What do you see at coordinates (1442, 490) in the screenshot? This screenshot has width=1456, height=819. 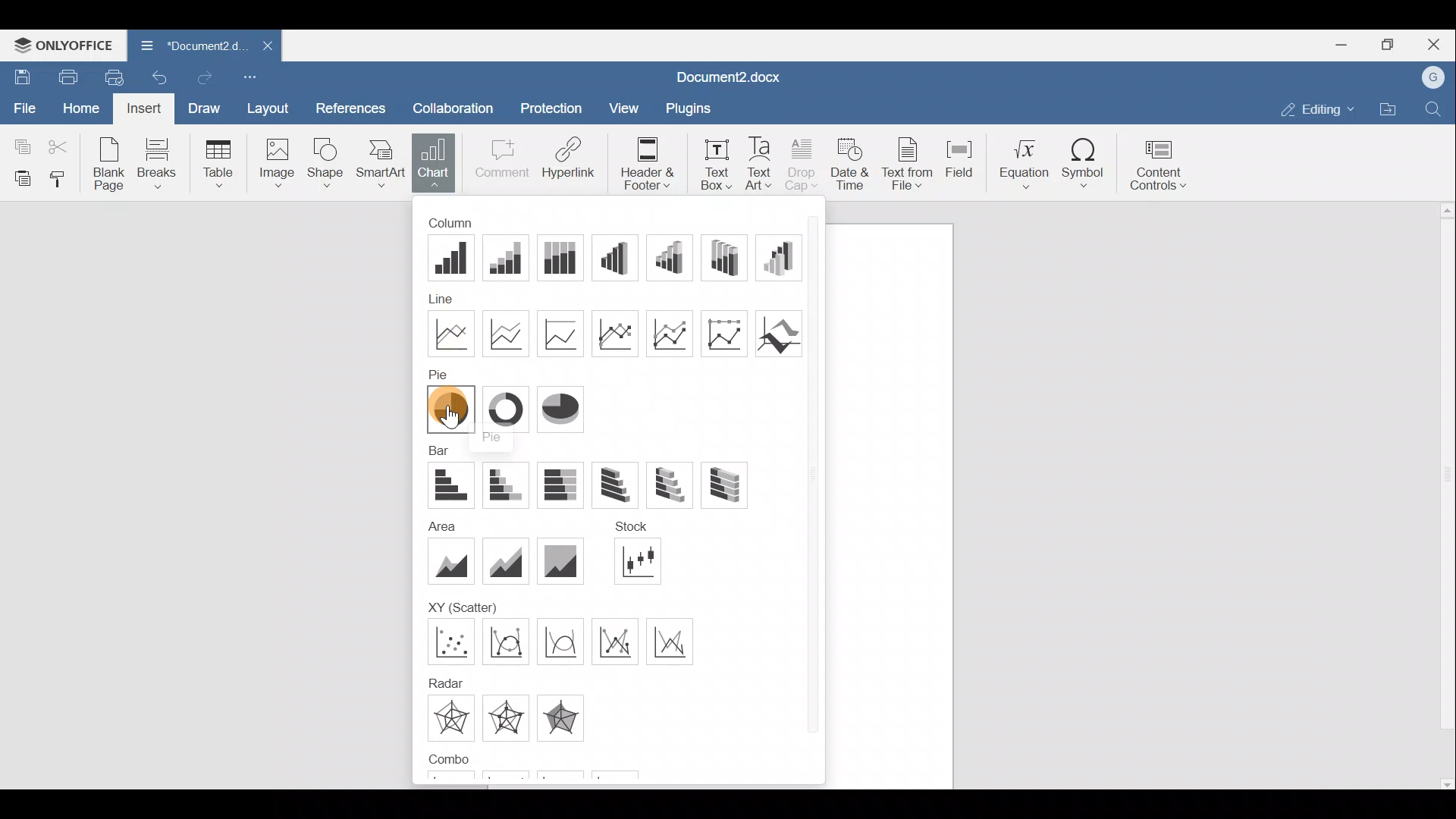 I see `Scroll bar` at bounding box center [1442, 490].